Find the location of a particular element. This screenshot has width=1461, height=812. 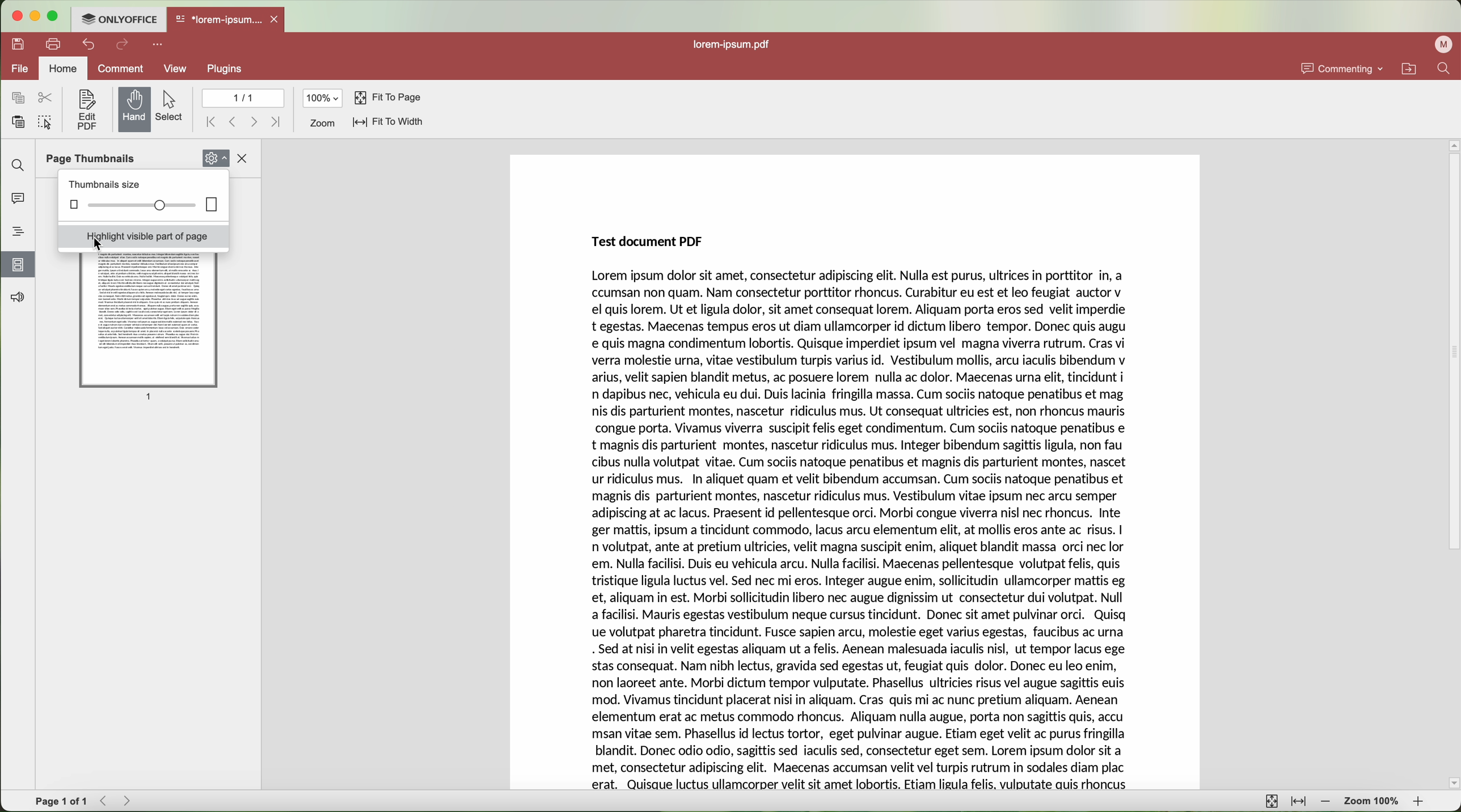

fit to page is located at coordinates (1272, 801).